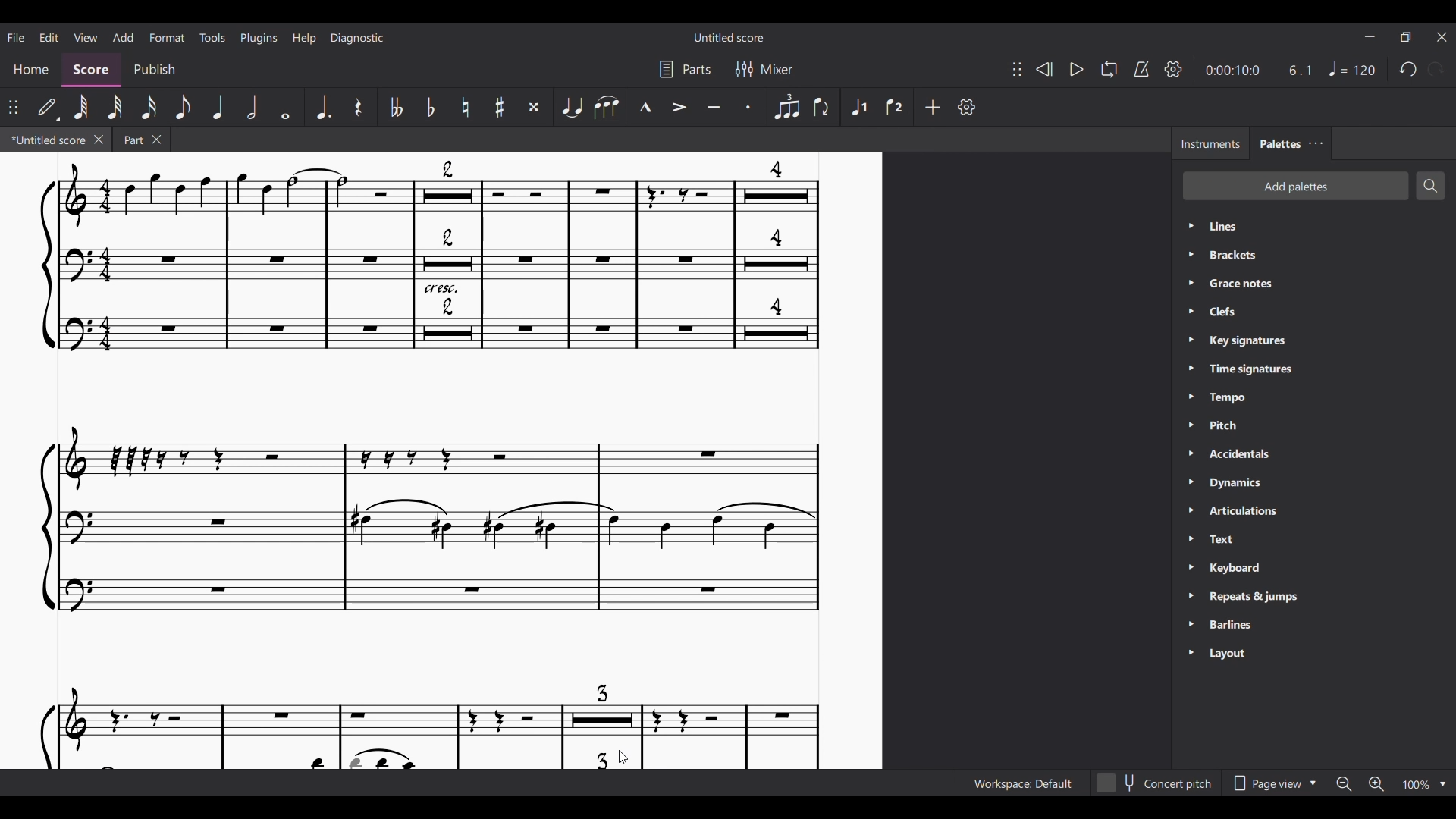 The width and height of the screenshot is (1456, 819). I want to click on Tools menu, so click(212, 37).